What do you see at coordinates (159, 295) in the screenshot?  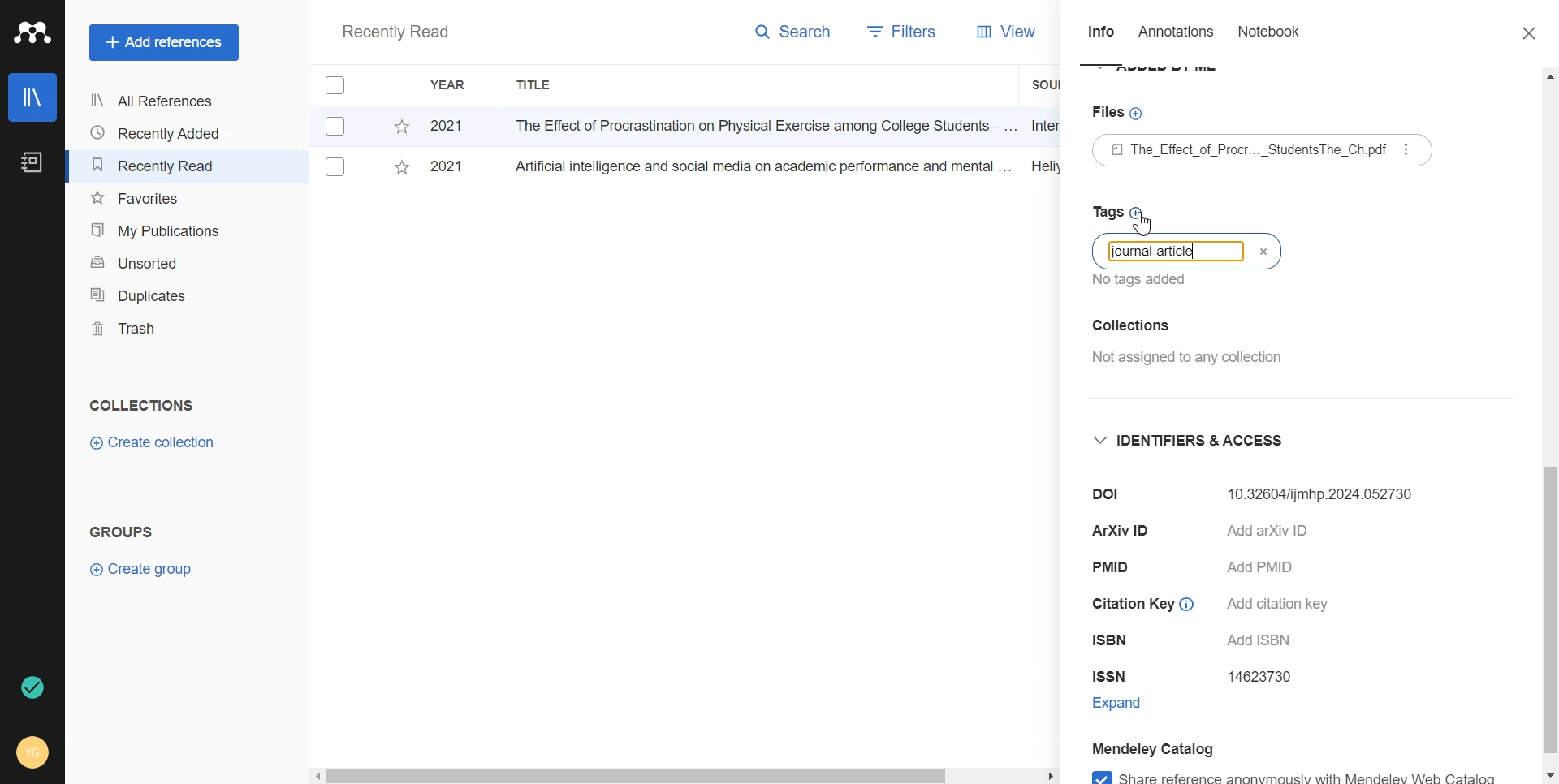 I see `Duplicates` at bounding box center [159, 295].